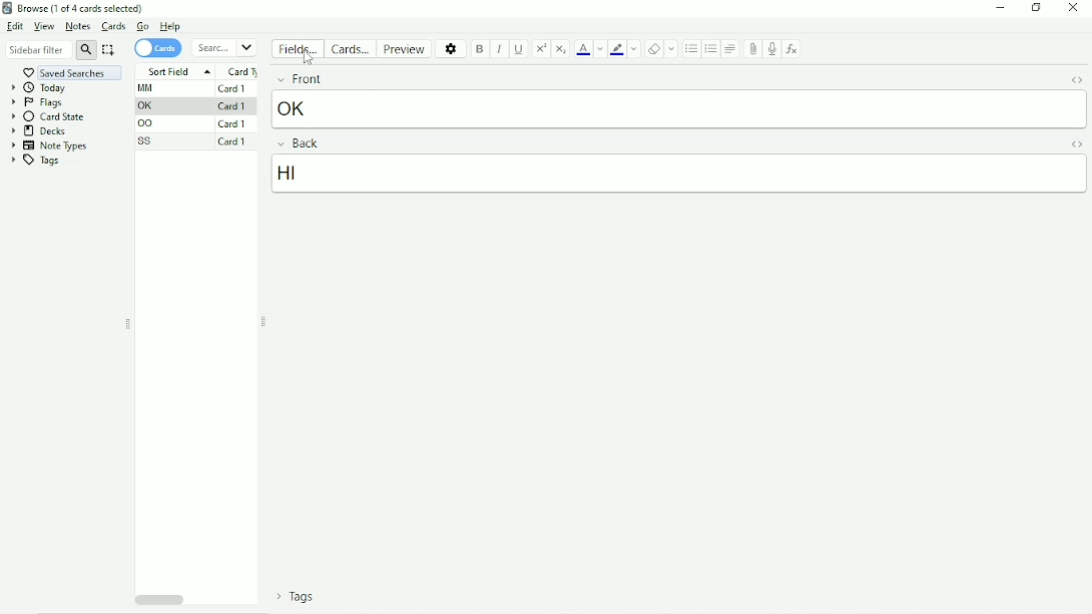  I want to click on Tags, so click(291, 599).